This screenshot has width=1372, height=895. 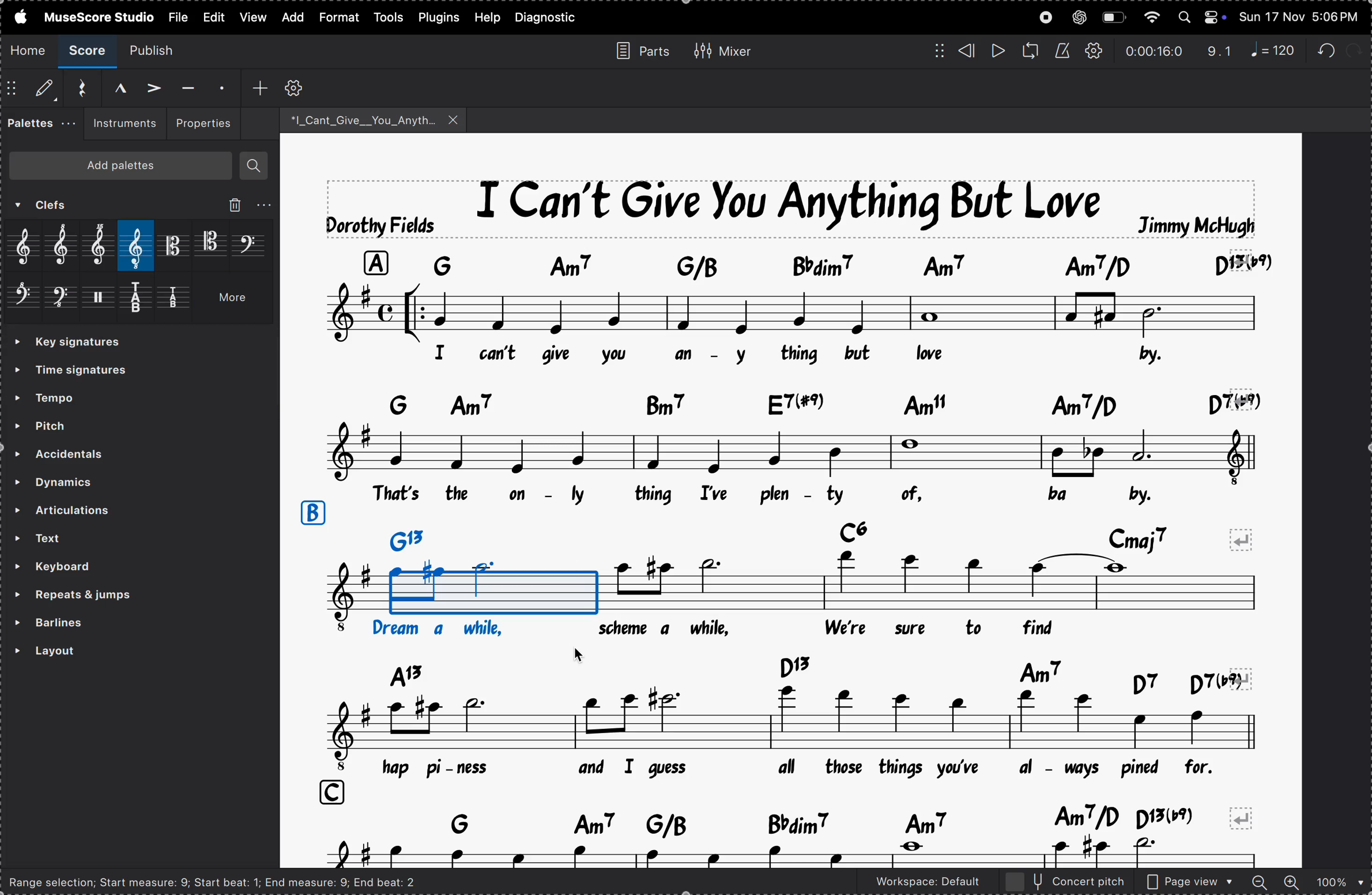 What do you see at coordinates (311, 511) in the screenshot?
I see `row` at bounding box center [311, 511].